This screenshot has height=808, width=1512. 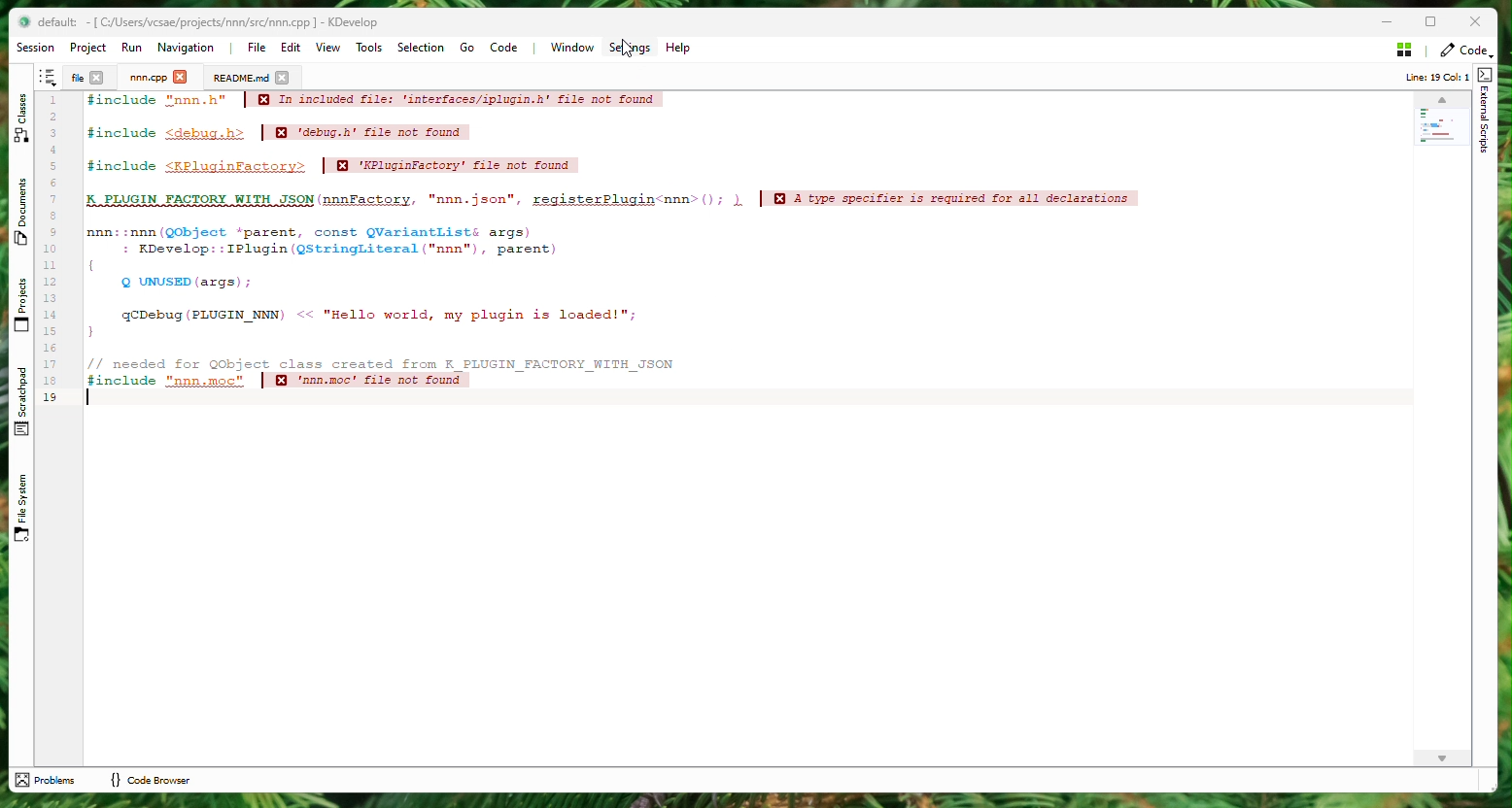 I want to click on 11, so click(x=51, y=265).